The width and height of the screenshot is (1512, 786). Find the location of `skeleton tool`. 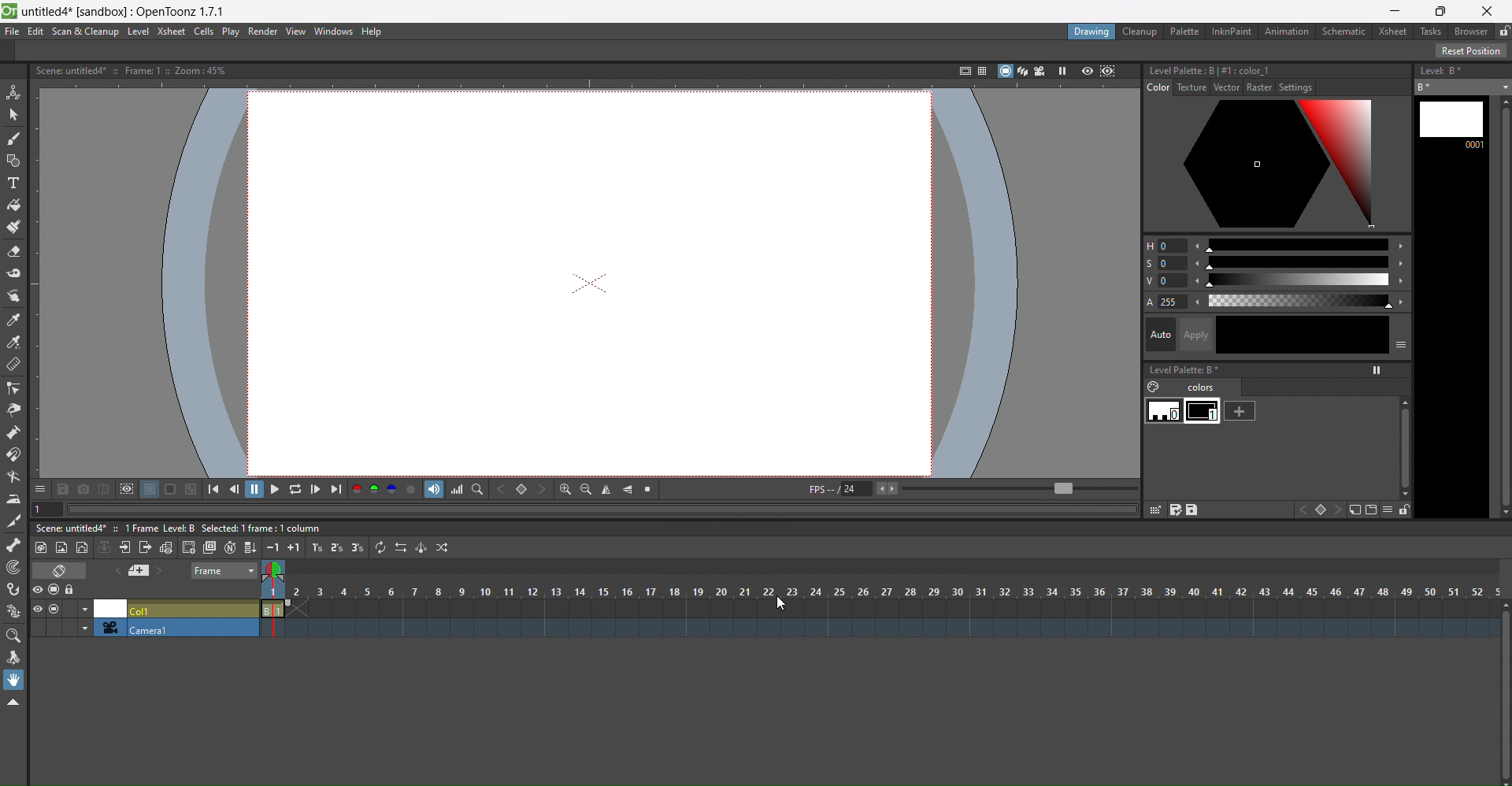

skeleton tool is located at coordinates (14, 545).